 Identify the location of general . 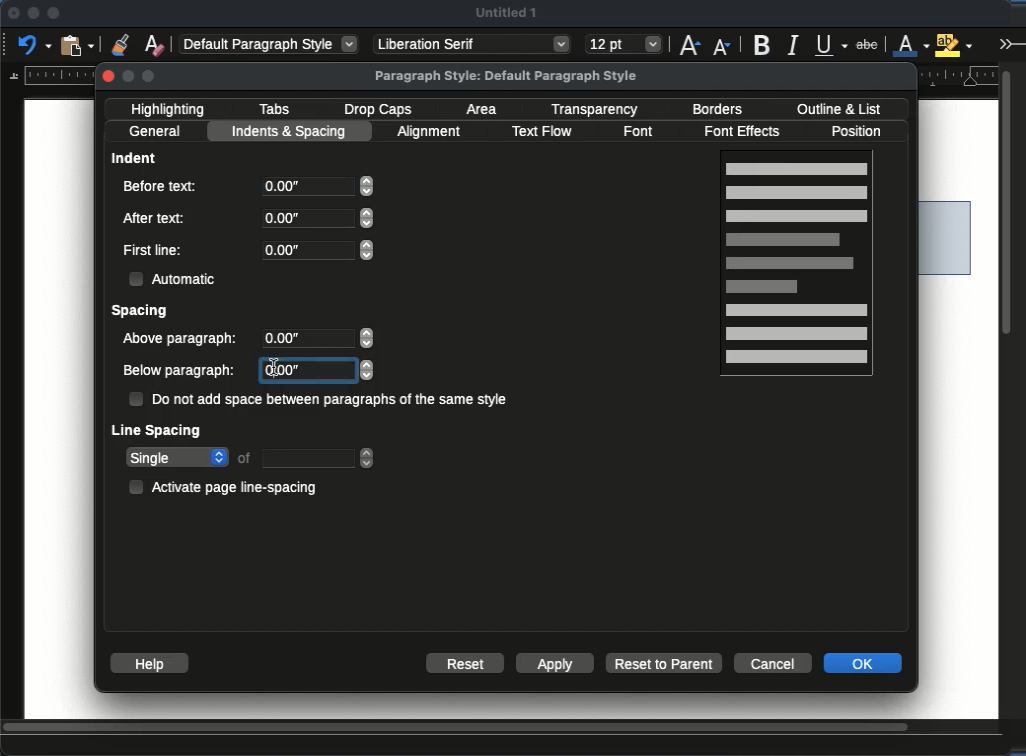
(156, 132).